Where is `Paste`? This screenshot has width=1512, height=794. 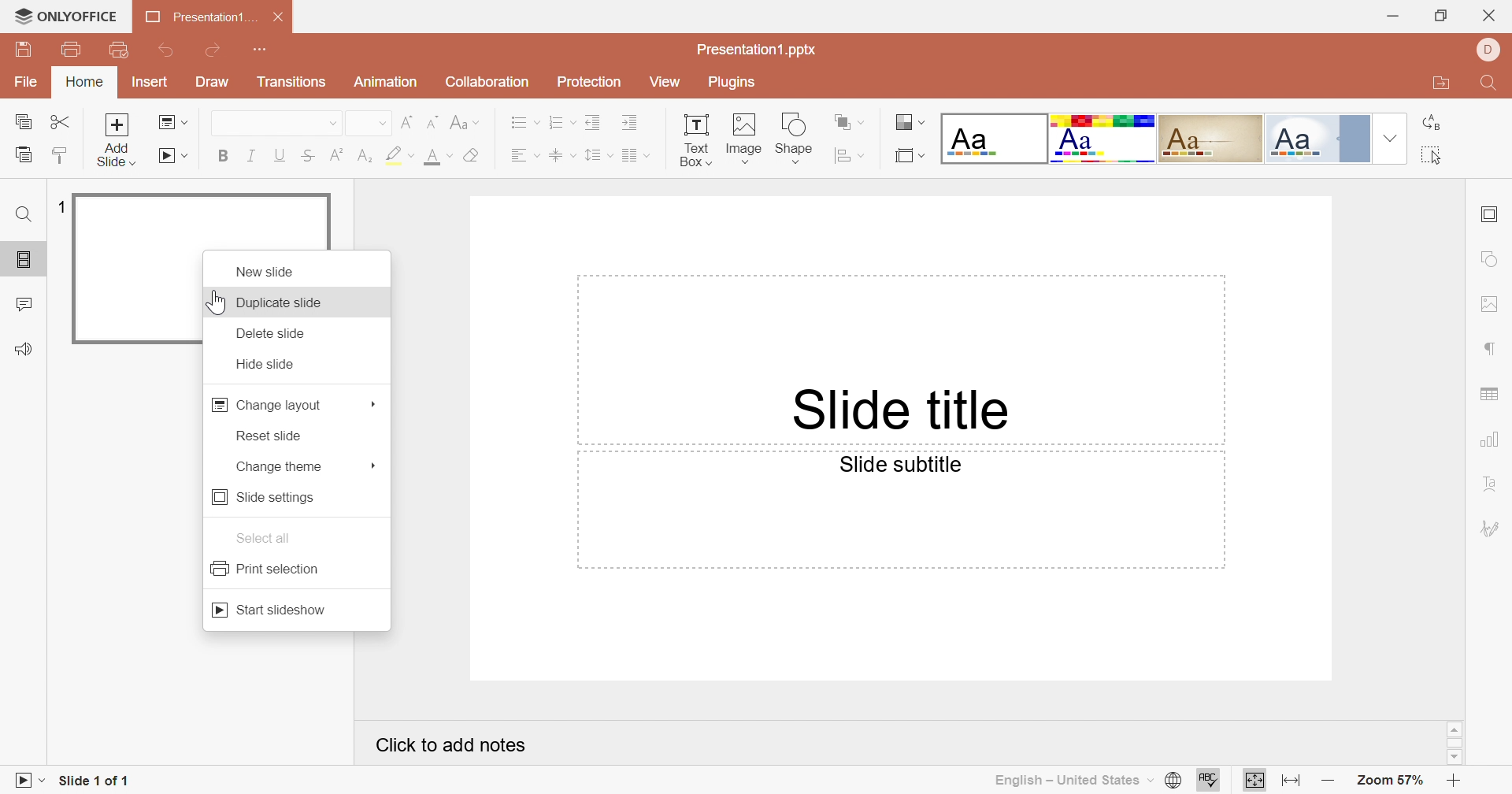
Paste is located at coordinates (21, 155).